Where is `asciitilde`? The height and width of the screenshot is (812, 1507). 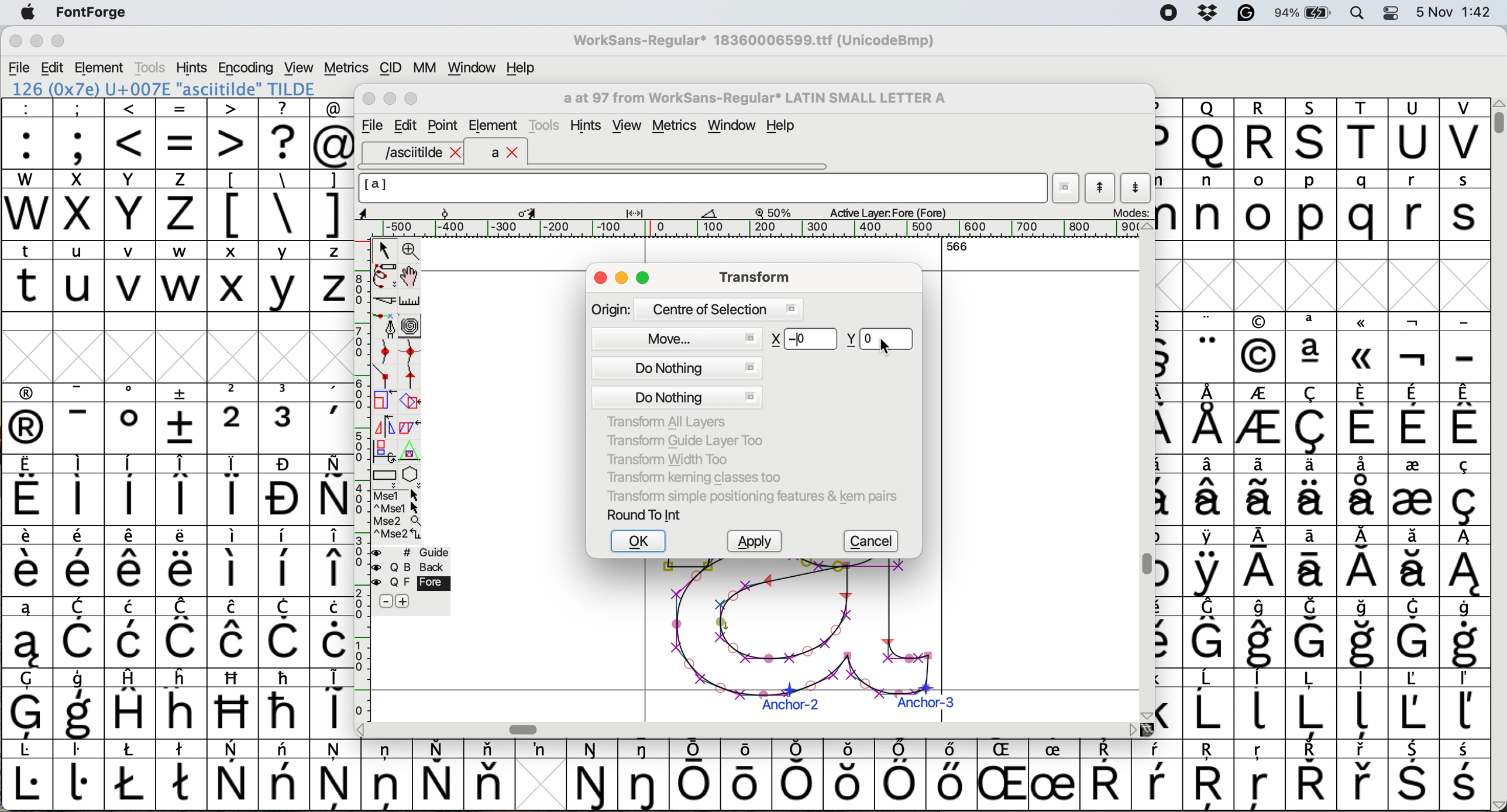
asciitilde is located at coordinates (421, 153).